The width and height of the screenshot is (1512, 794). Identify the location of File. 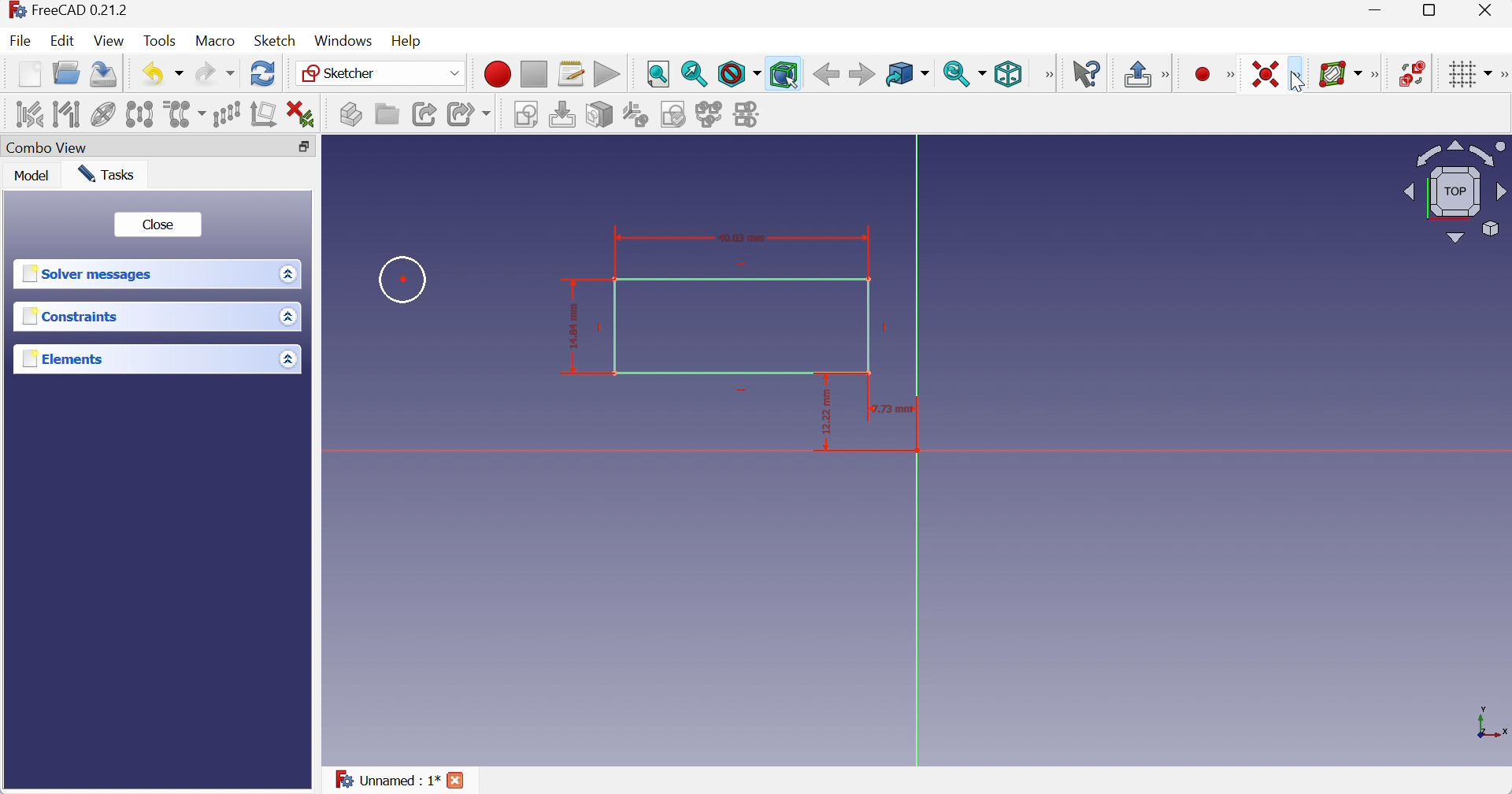
(20, 40).